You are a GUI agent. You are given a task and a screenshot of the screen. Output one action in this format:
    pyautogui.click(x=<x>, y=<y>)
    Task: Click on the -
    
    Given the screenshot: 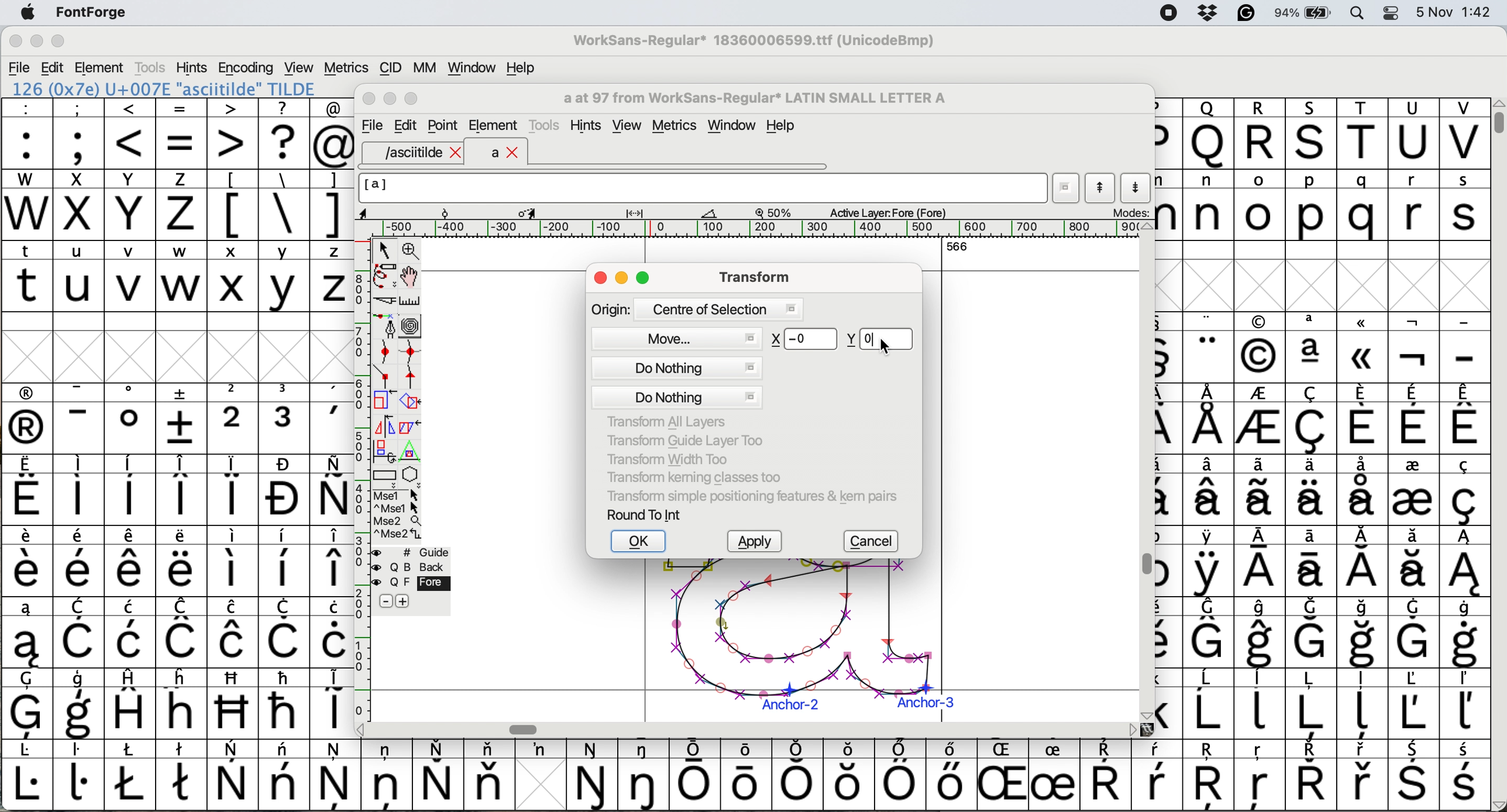 What is the action you would take?
    pyautogui.click(x=1465, y=349)
    